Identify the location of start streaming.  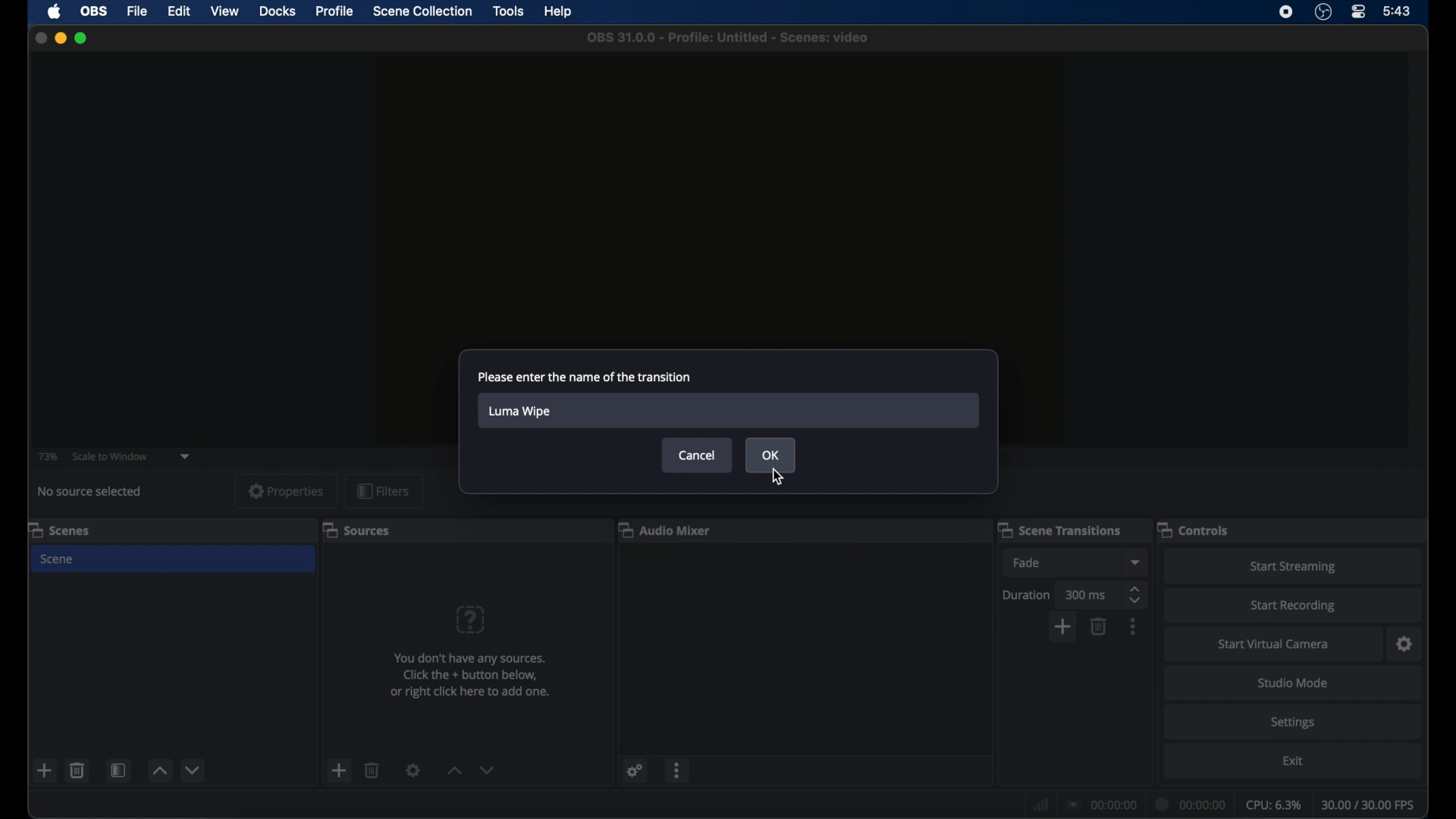
(1294, 566).